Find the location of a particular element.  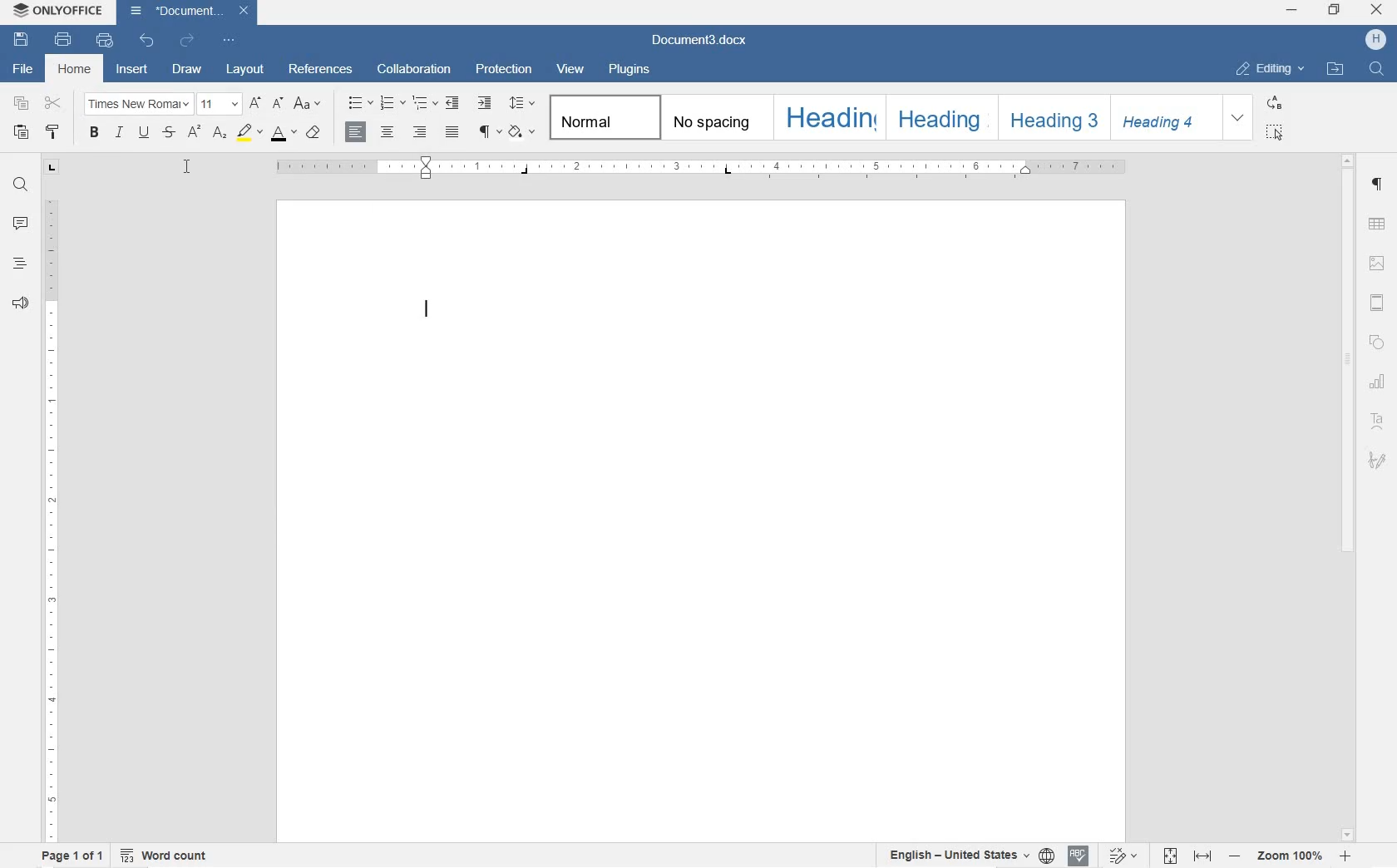

COPY STYLE is located at coordinates (54, 134).